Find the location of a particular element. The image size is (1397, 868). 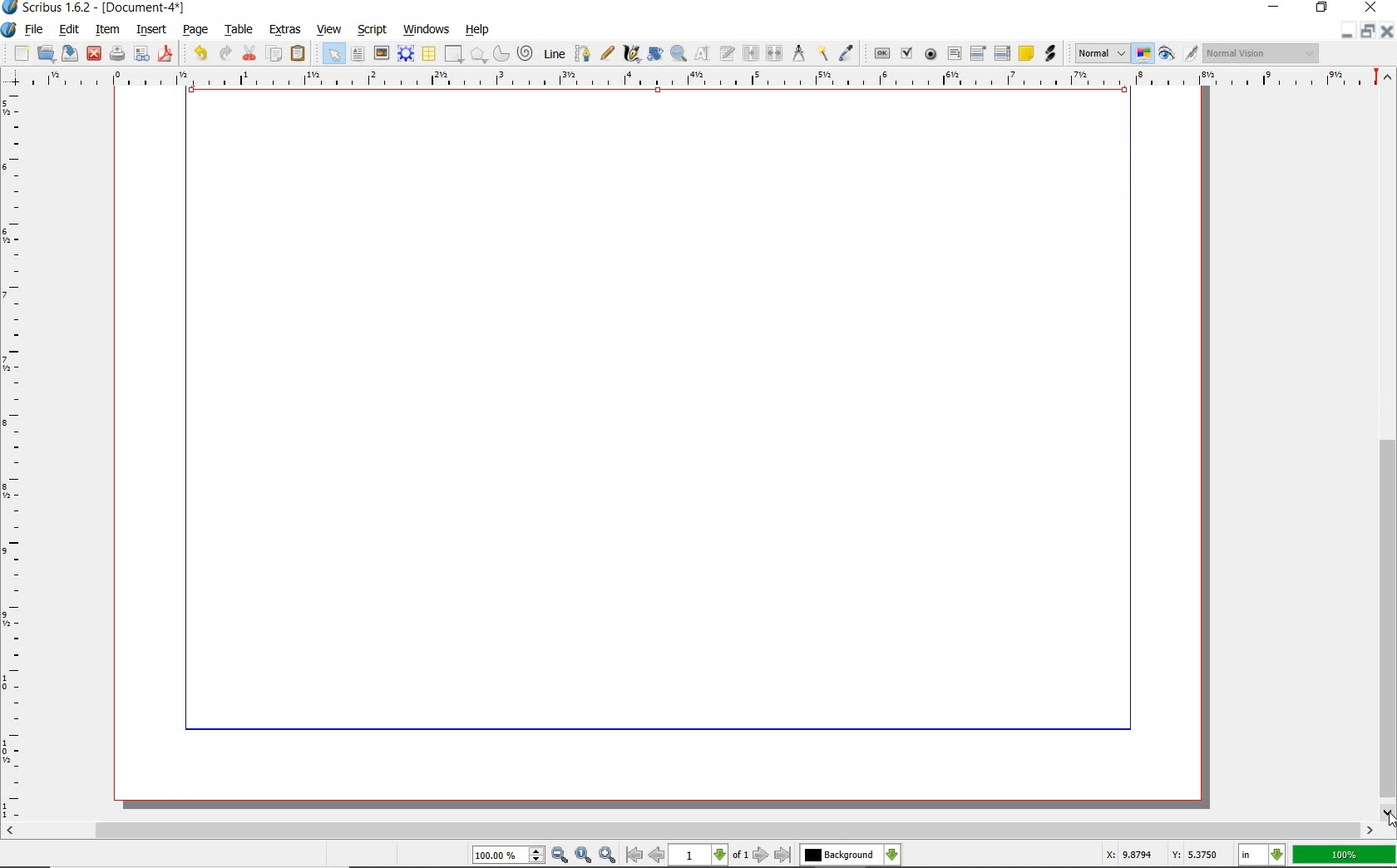

page is located at coordinates (197, 31).